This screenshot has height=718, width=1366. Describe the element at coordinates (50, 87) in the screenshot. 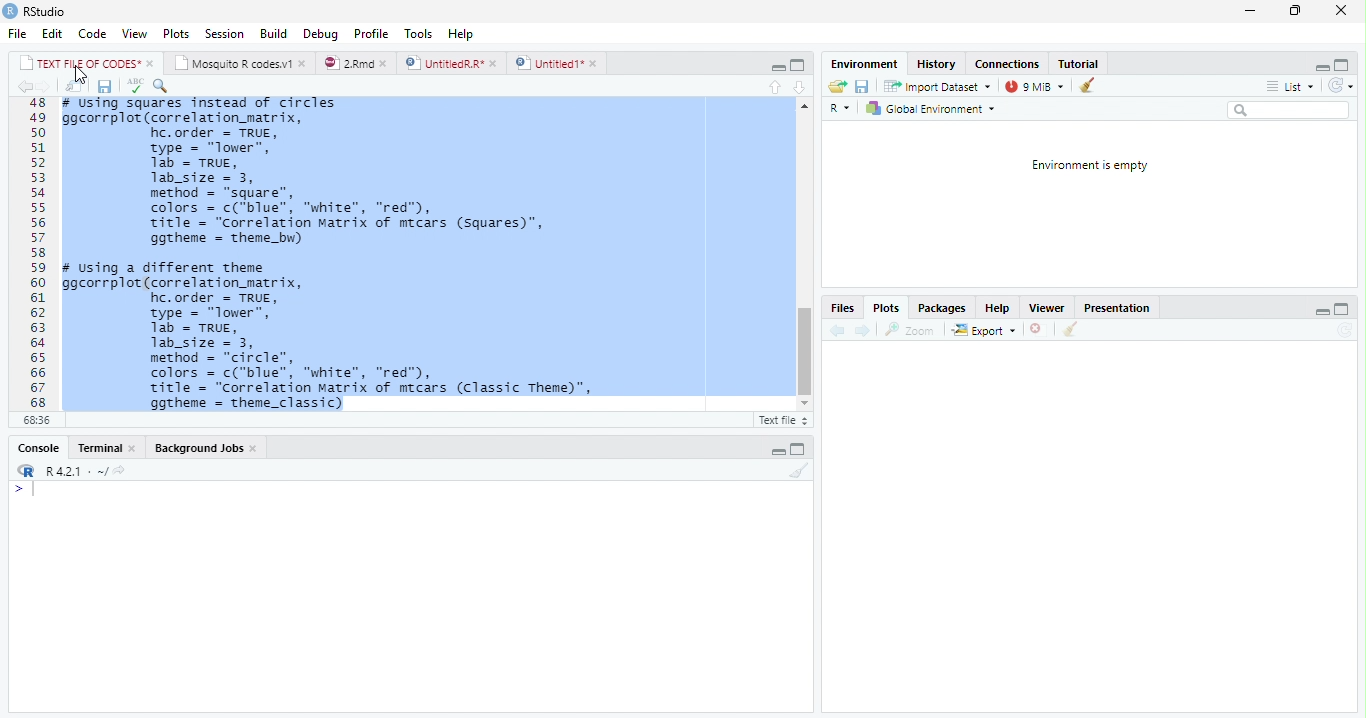

I see `go back to the next source location` at that location.